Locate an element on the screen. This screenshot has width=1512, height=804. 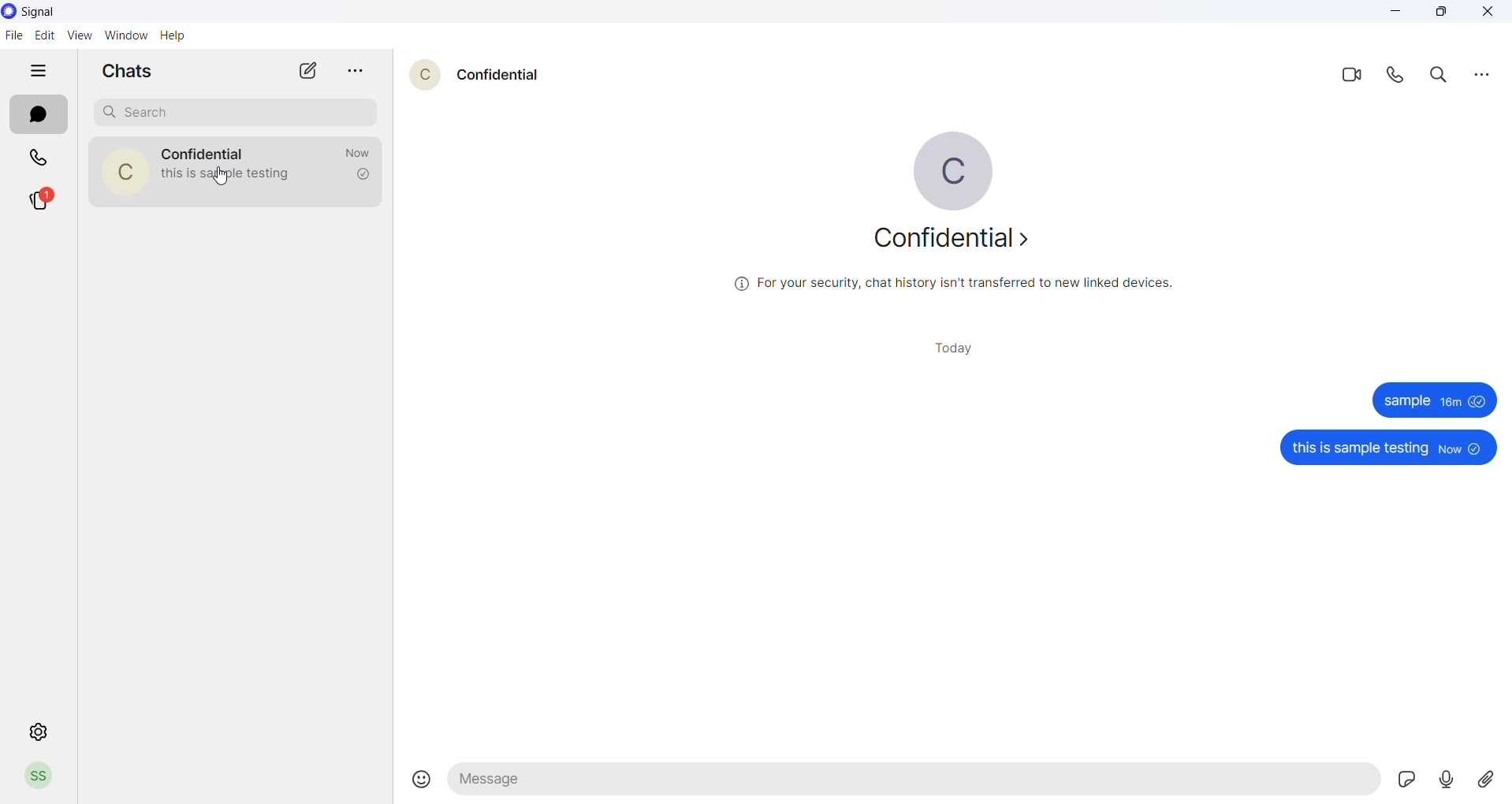
chat options is located at coordinates (348, 71).